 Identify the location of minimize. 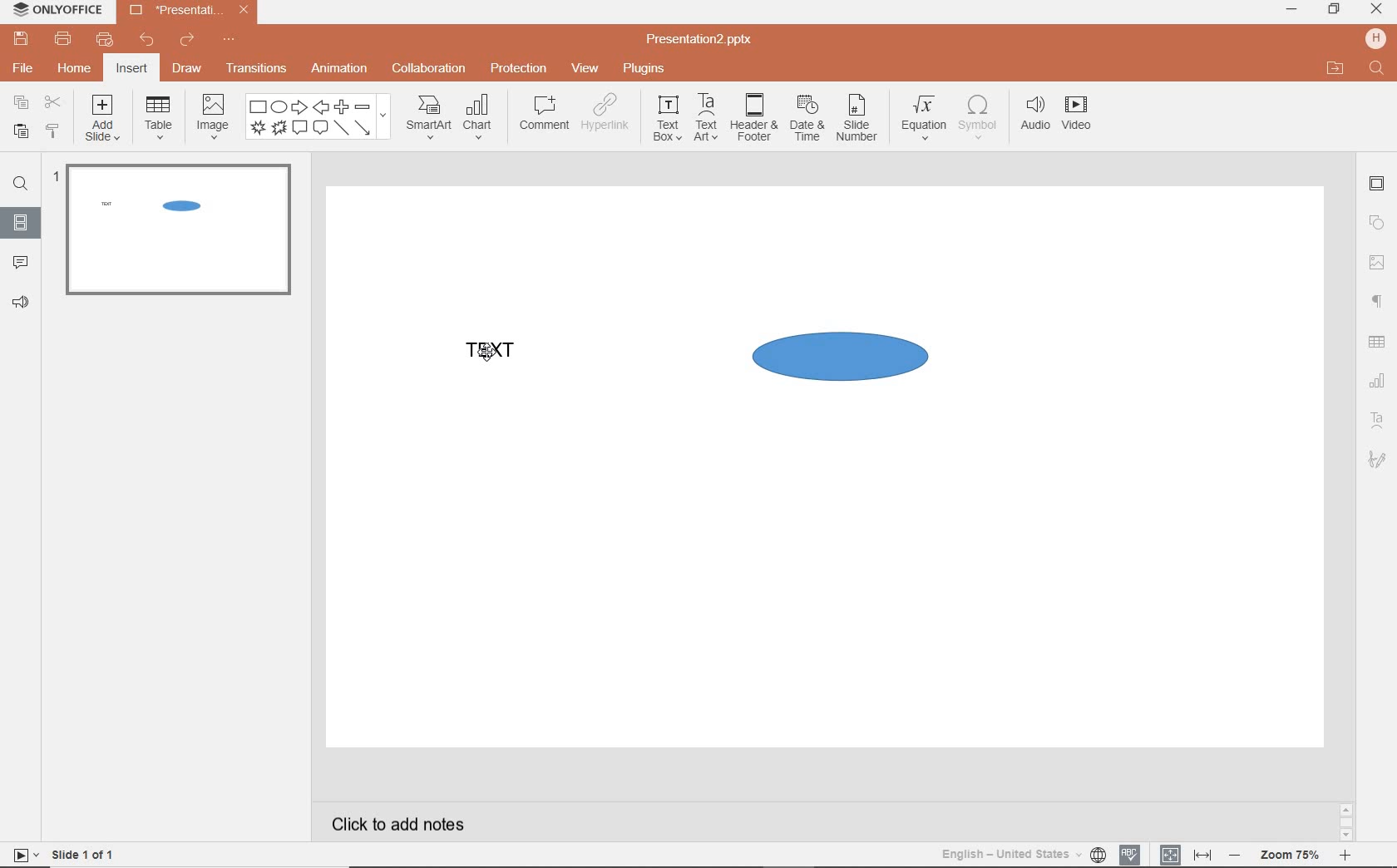
(1291, 10).